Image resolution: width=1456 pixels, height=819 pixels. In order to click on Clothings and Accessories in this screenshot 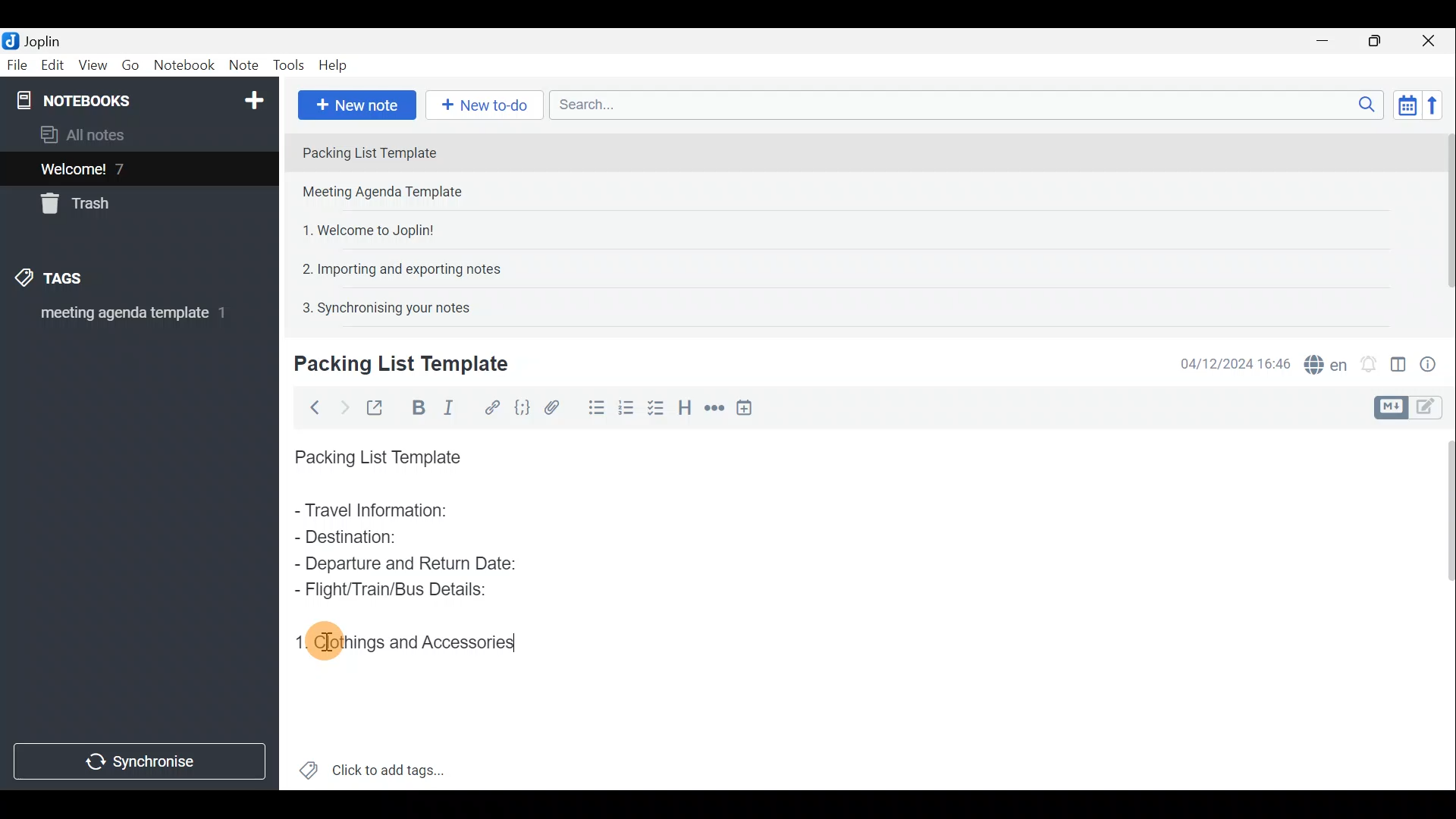, I will do `click(413, 640)`.